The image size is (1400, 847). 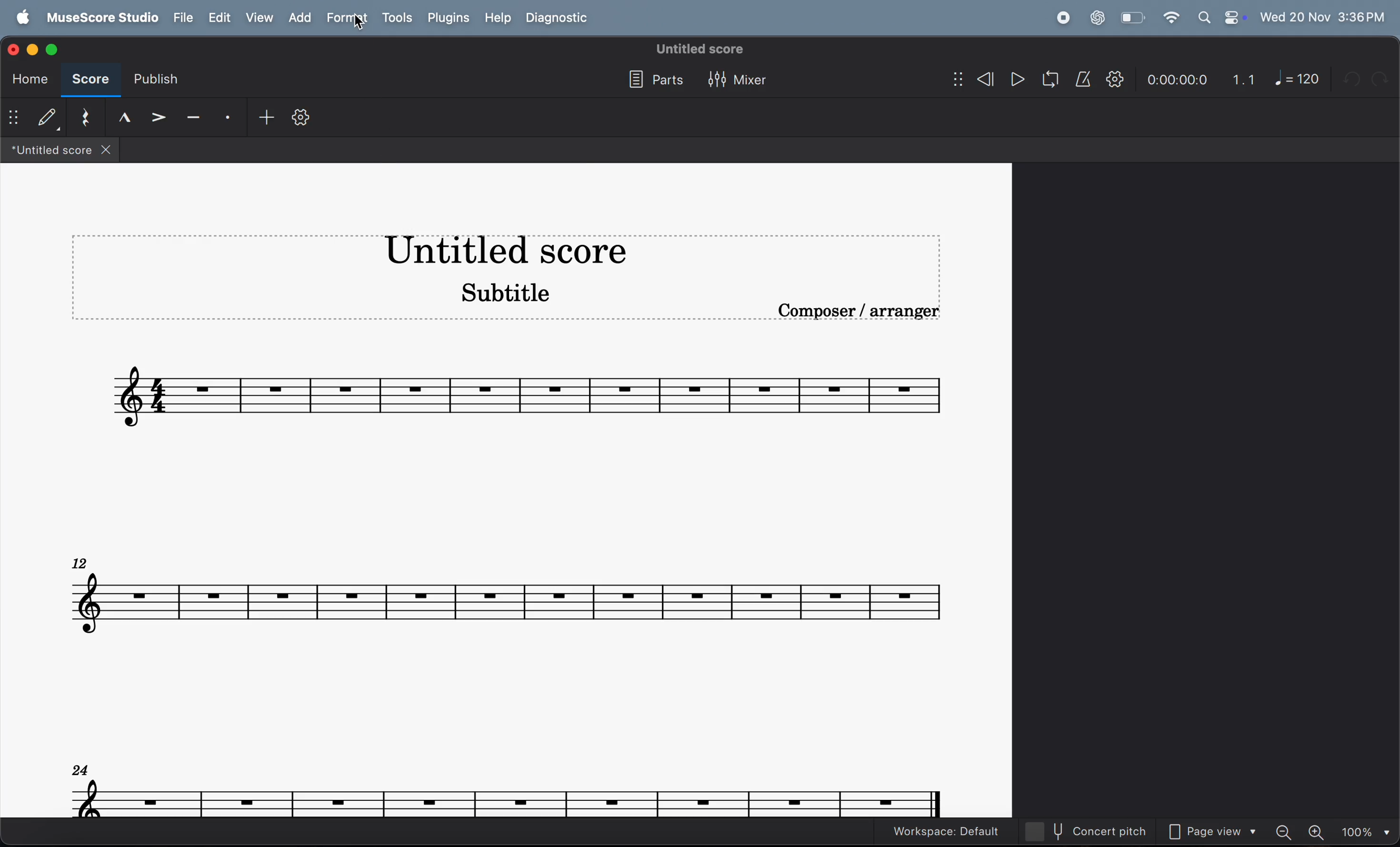 I want to click on 1.1, so click(x=1244, y=80).